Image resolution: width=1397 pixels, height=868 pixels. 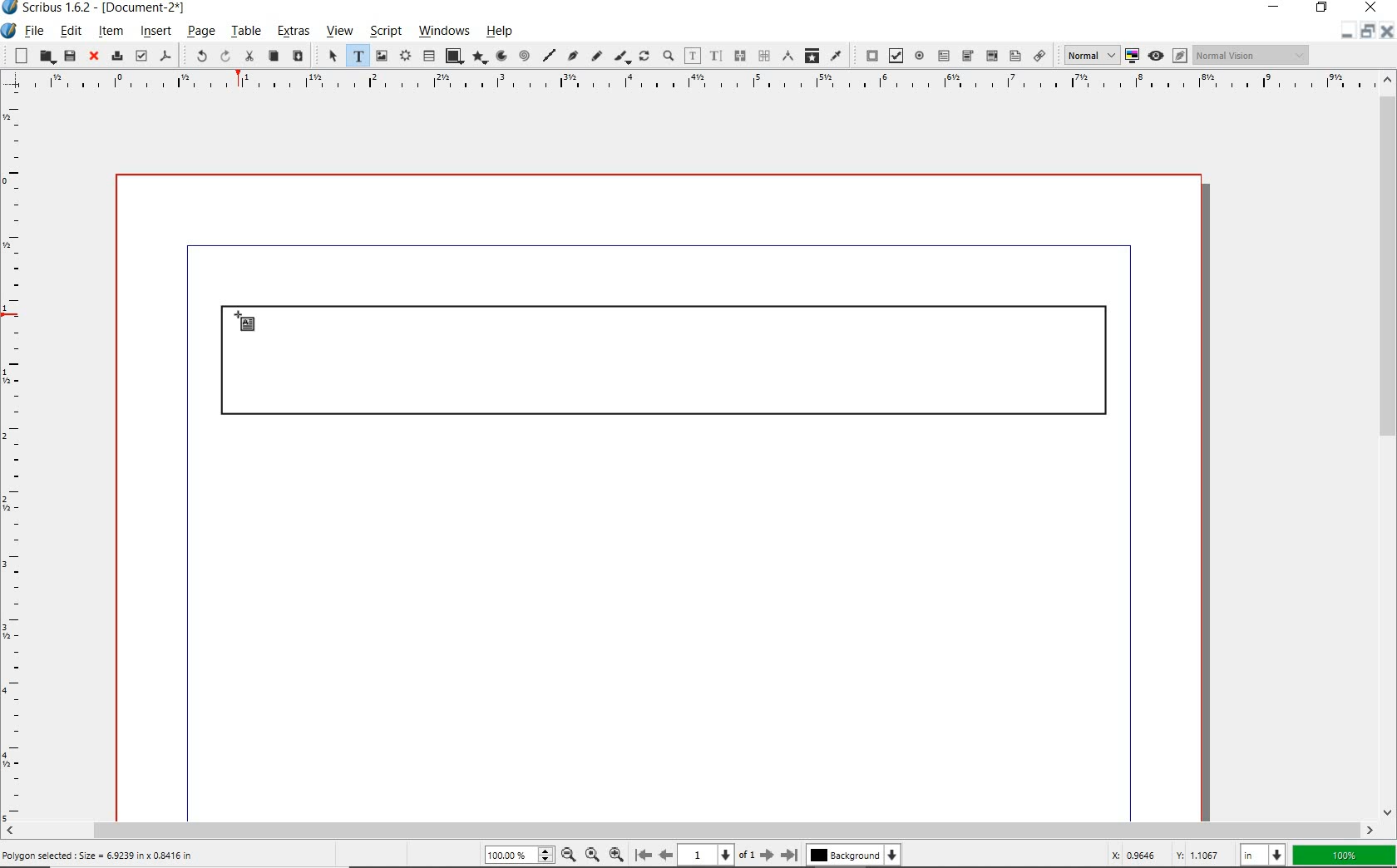 What do you see at coordinates (768, 855) in the screenshot?
I see `move to next` at bounding box center [768, 855].